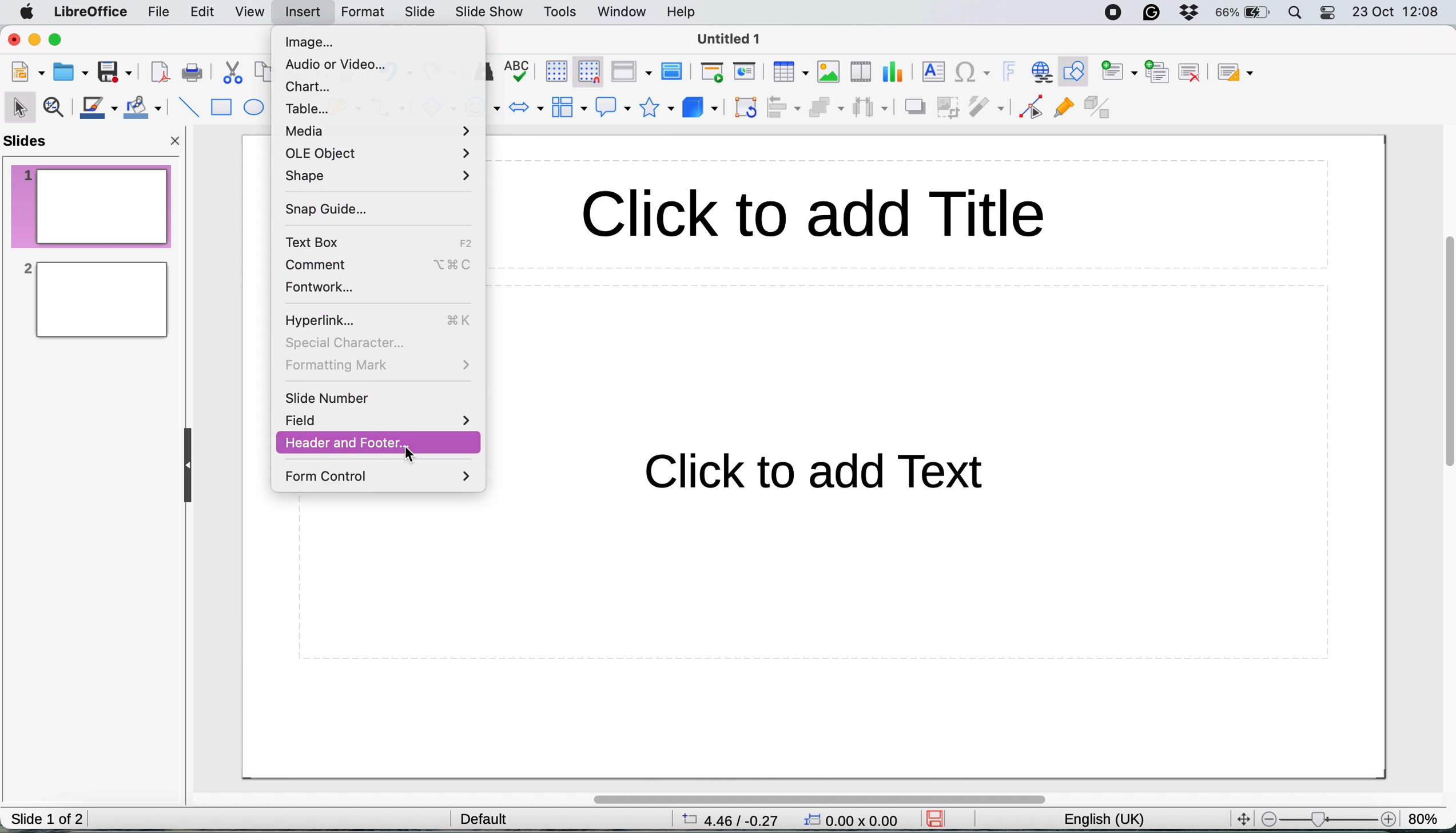  What do you see at coordinates (552, 70) in the screenshot?
I see `display grid` at bounding box center [552, 70].